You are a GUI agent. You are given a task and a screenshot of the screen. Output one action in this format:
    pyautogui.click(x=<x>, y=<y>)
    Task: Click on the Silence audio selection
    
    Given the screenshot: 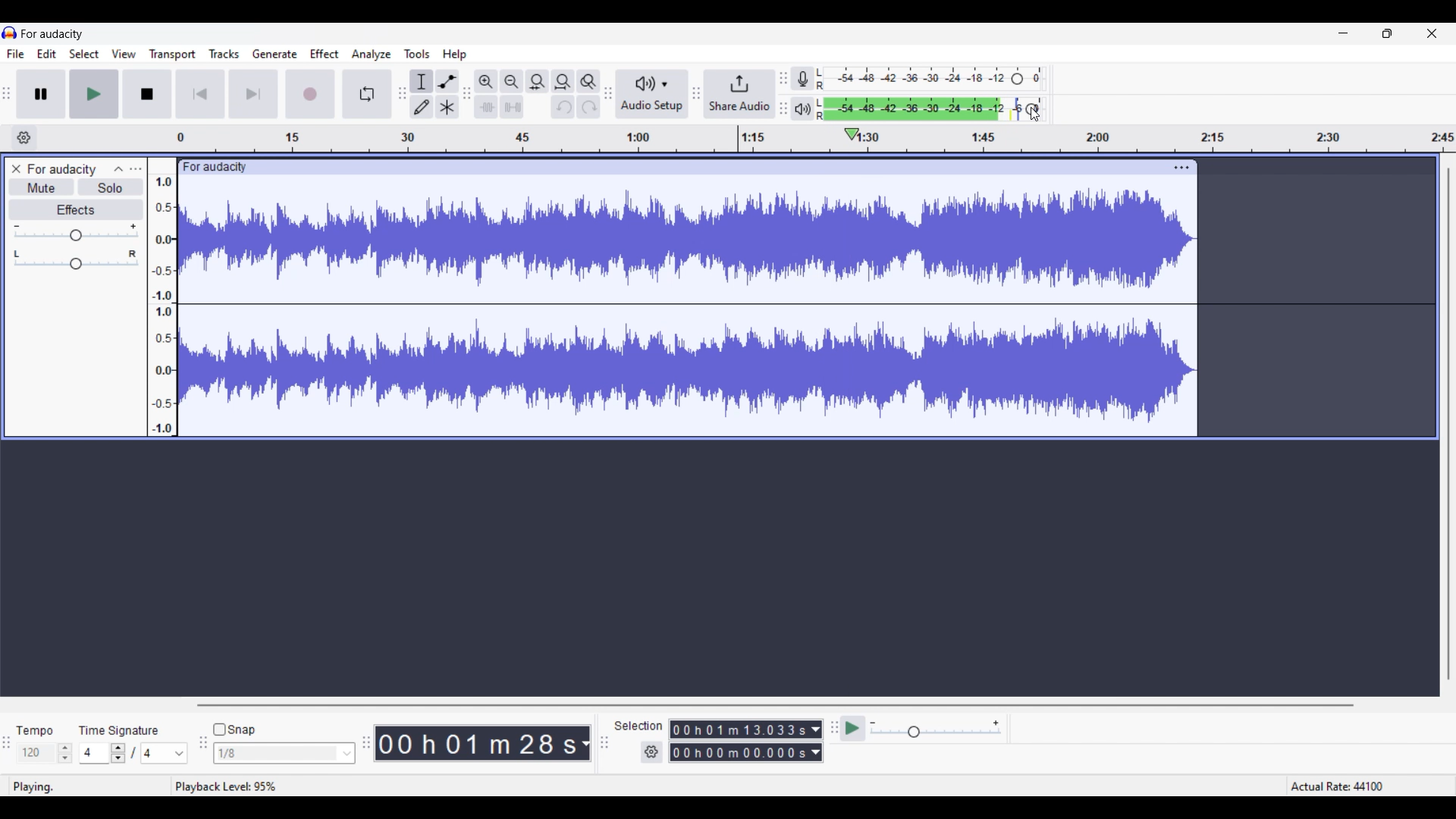 What is the action you would take?
    pyautogui.click(x=513, y=107)
    